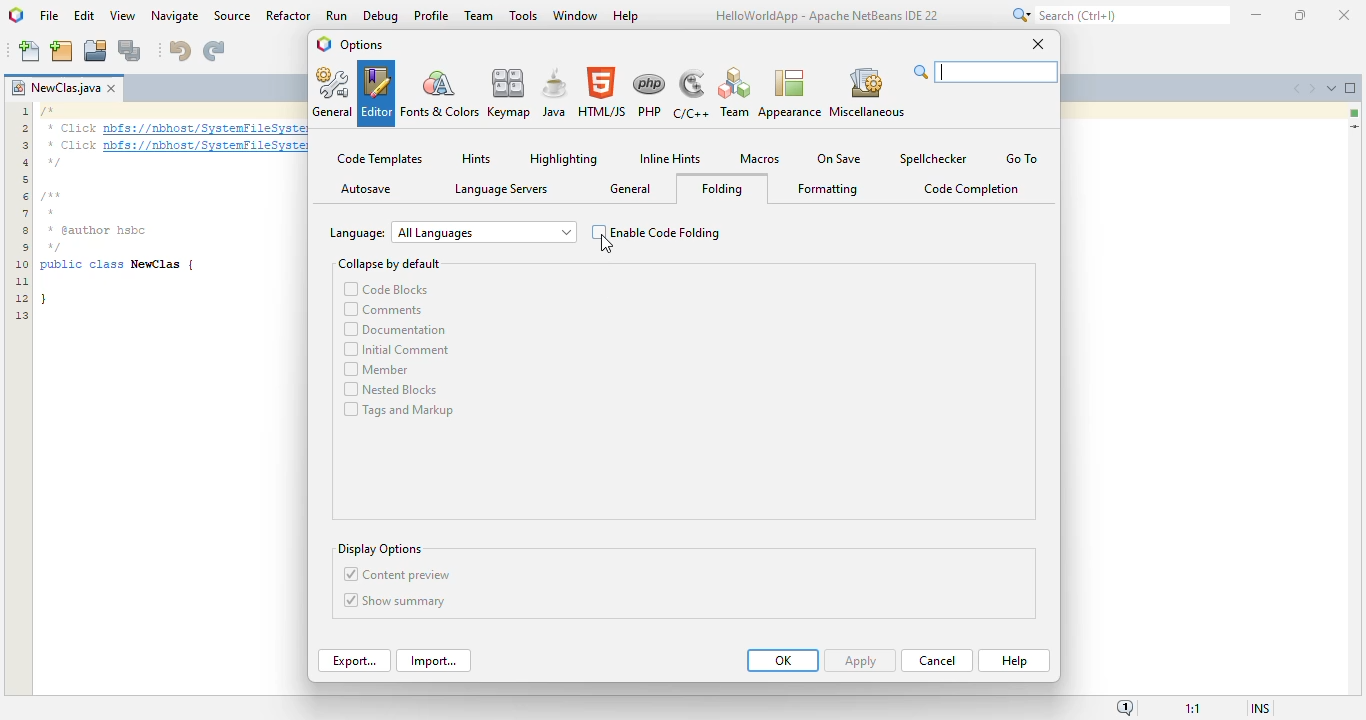 The height and width of the screenshot is (720, 1366). What do you see at coordinates (476, 158) in the screenshot?
I see `hints` at bounding box center [476, 158].